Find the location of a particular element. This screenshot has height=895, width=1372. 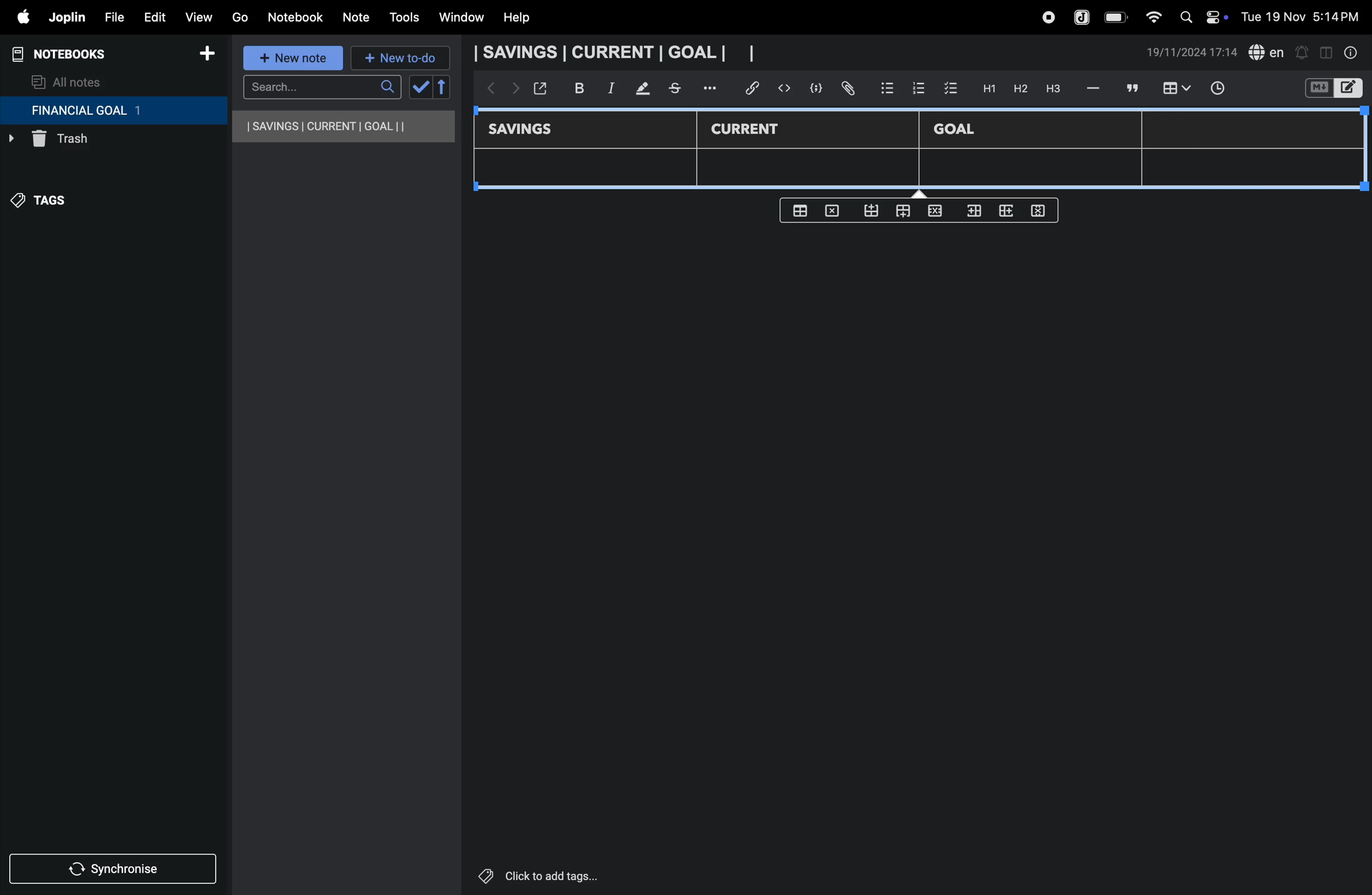

wifi is located at coordinates (1150, 17).